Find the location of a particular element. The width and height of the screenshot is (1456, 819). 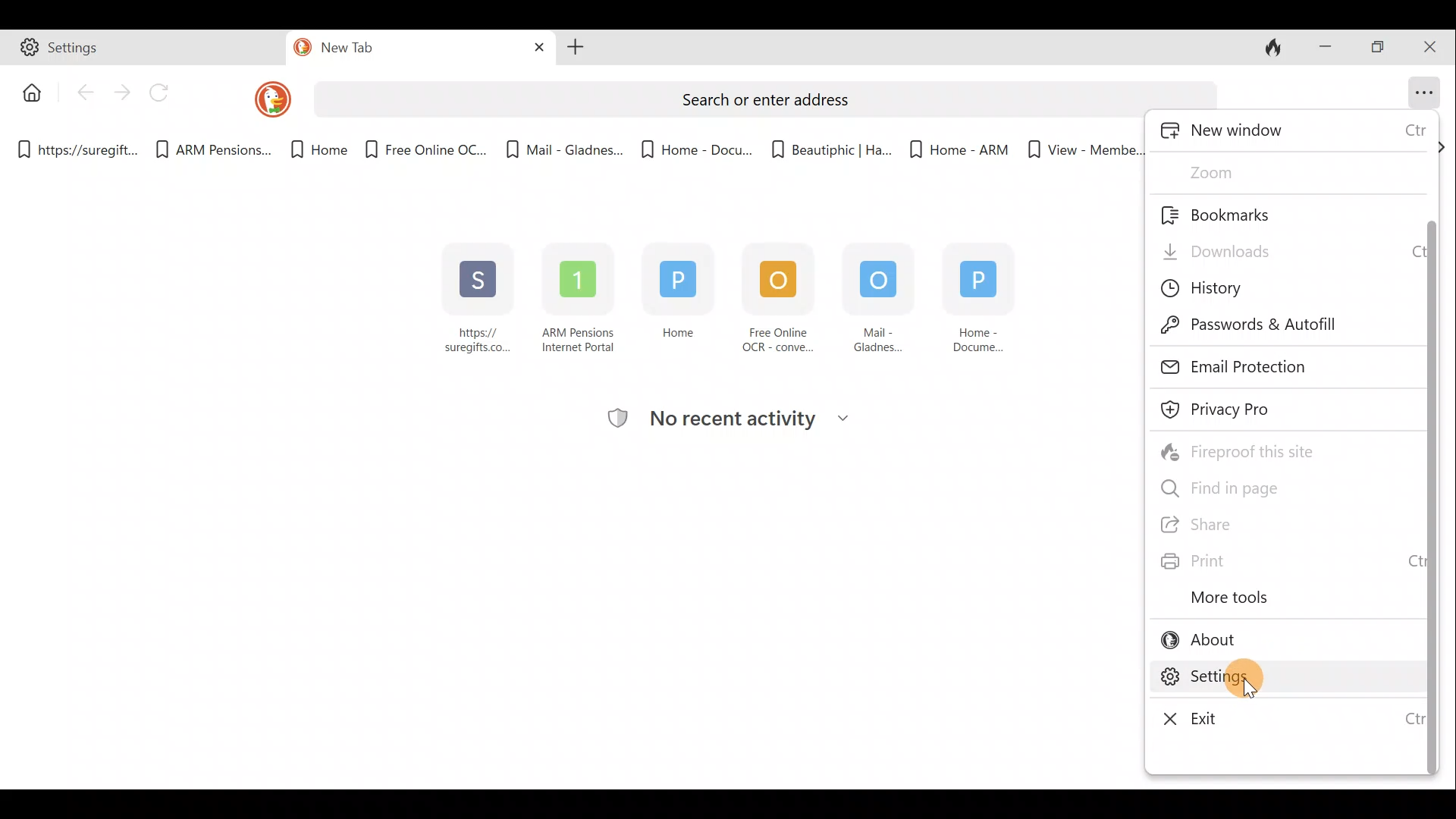

Back is located at coordinates (81, 93).